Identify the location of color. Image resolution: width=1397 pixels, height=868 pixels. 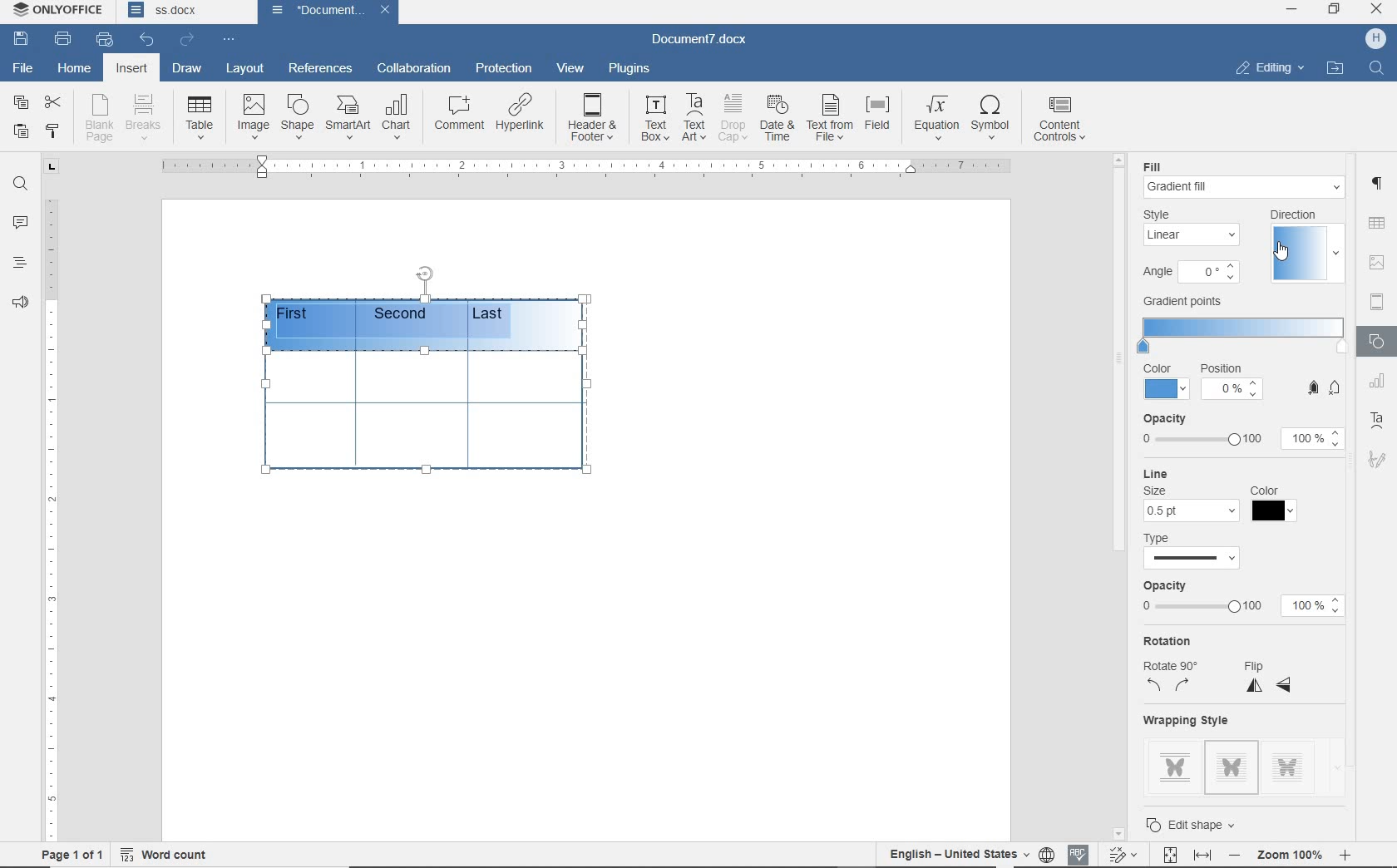
(1162, 367).